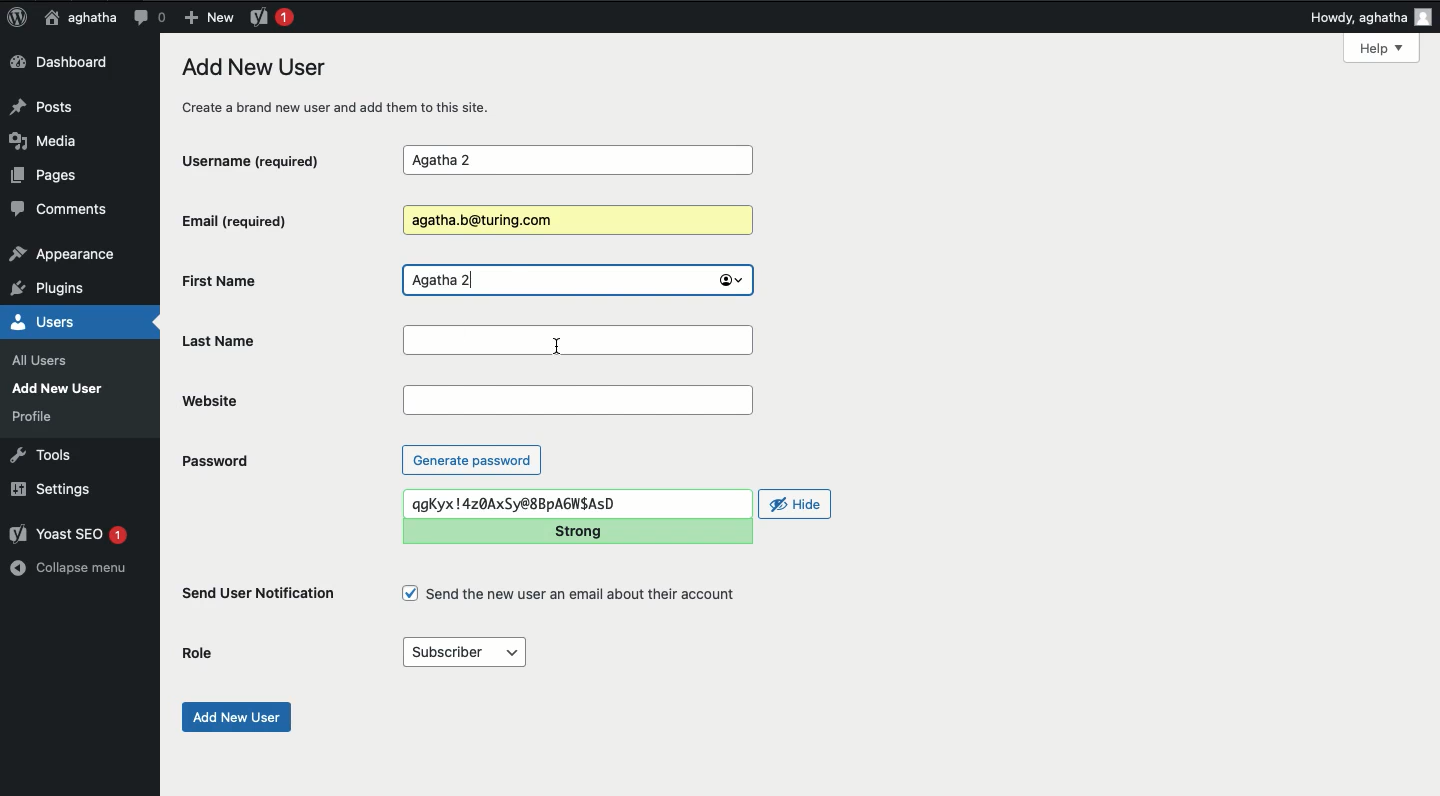  What do you see at coordinates (260, 597) in the screenshot?
I see `Send user notification ` at bounding box center [260, 597].